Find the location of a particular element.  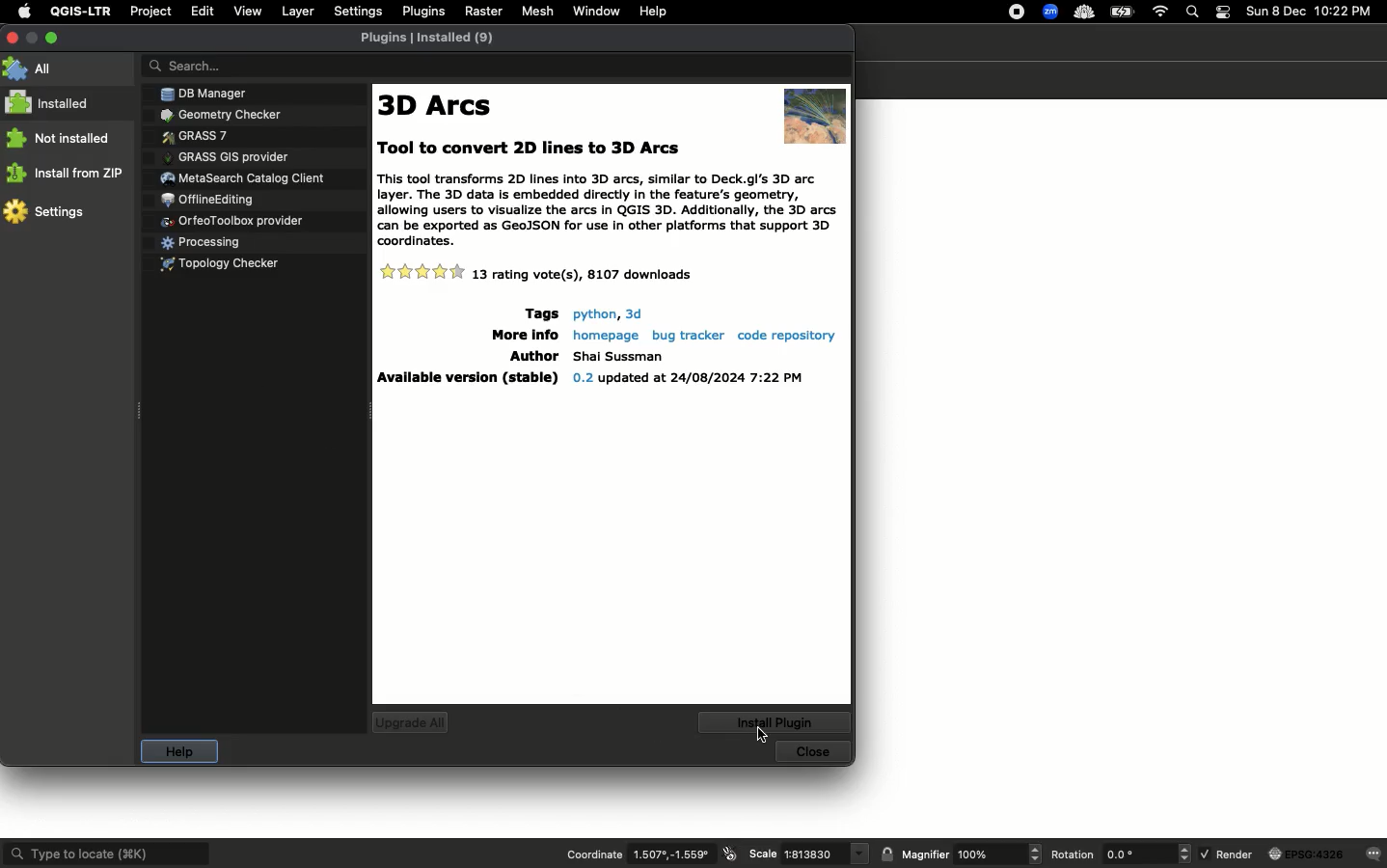

python, is located at coordinates (593, 313).